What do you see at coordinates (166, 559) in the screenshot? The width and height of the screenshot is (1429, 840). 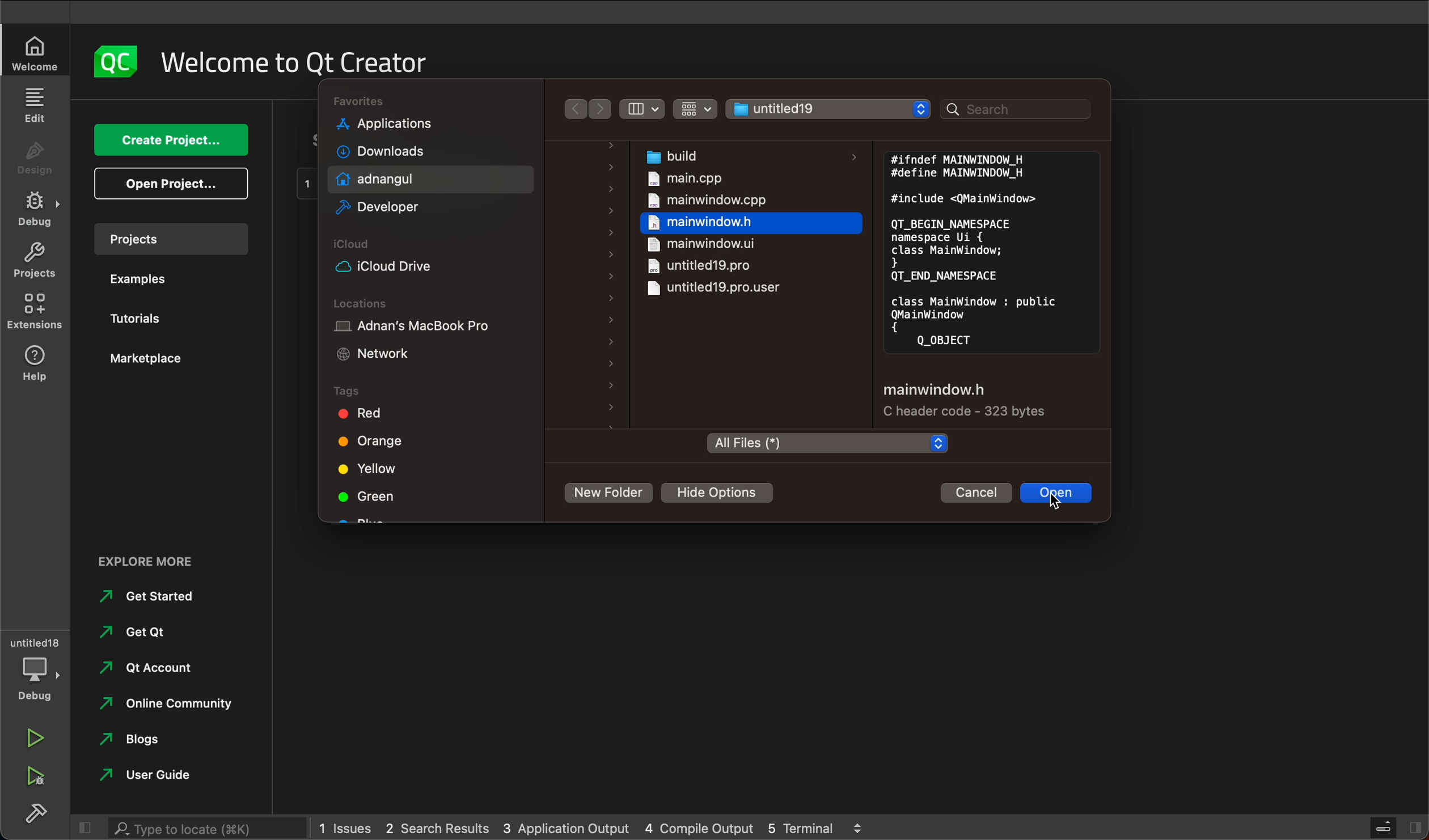 I see `external ` at bounding box center [166, 559].